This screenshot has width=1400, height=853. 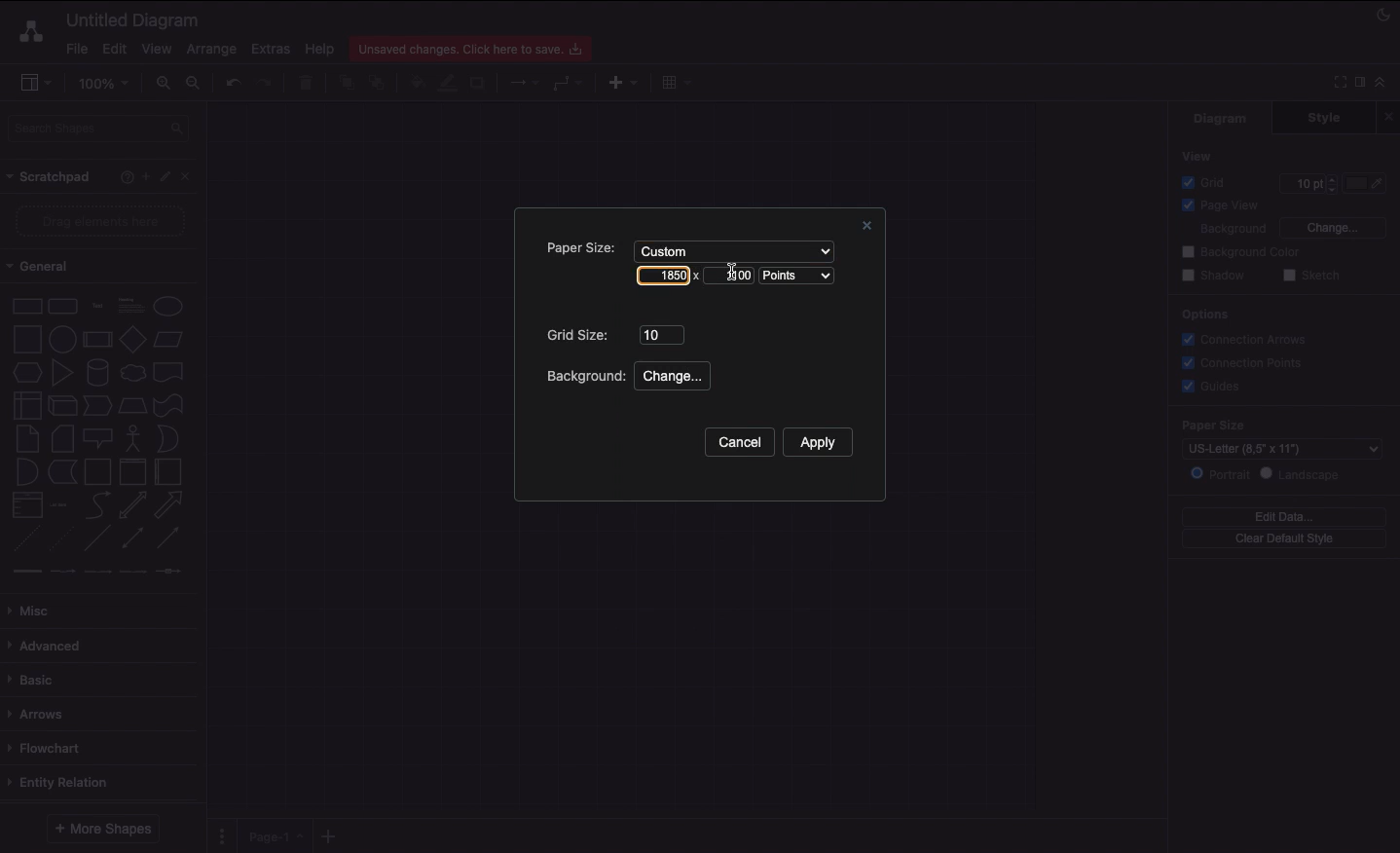 I want to click on Drag elements here, so click(x=103, y=221).